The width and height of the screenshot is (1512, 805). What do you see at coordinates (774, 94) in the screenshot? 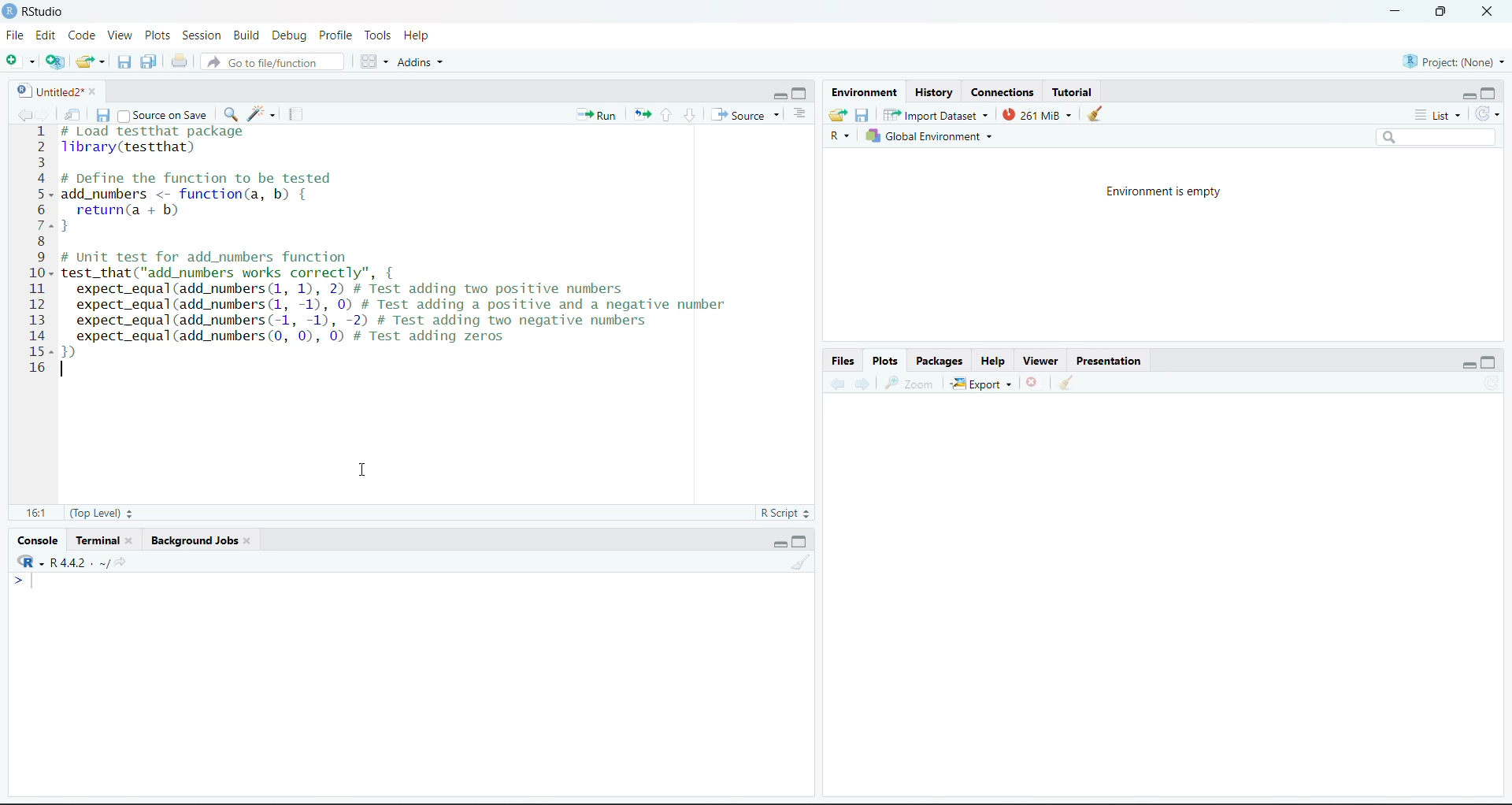
I see `minimize` at bounding box center [774, 94].